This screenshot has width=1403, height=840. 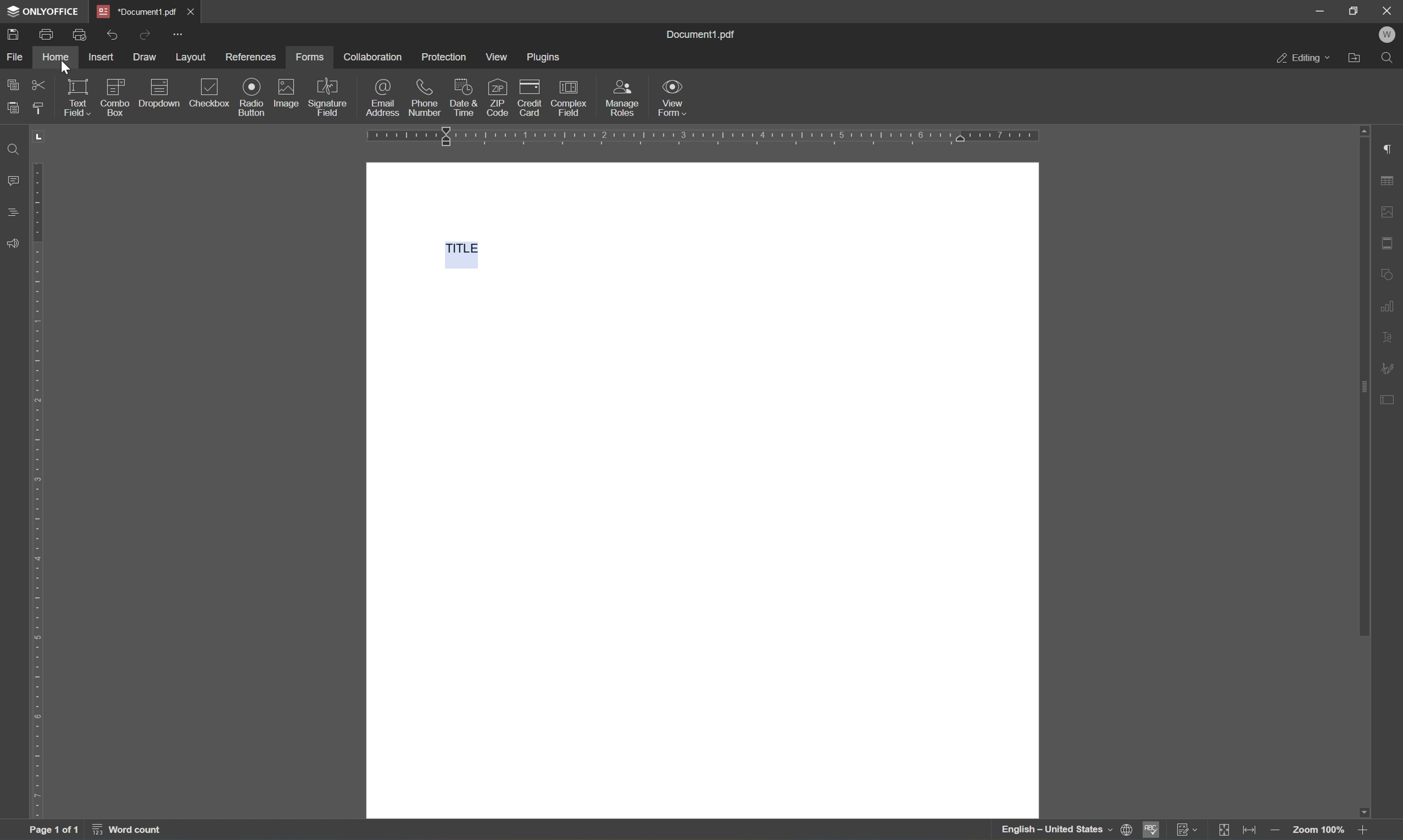 I want to click on copy, so click(x=12, y=84).